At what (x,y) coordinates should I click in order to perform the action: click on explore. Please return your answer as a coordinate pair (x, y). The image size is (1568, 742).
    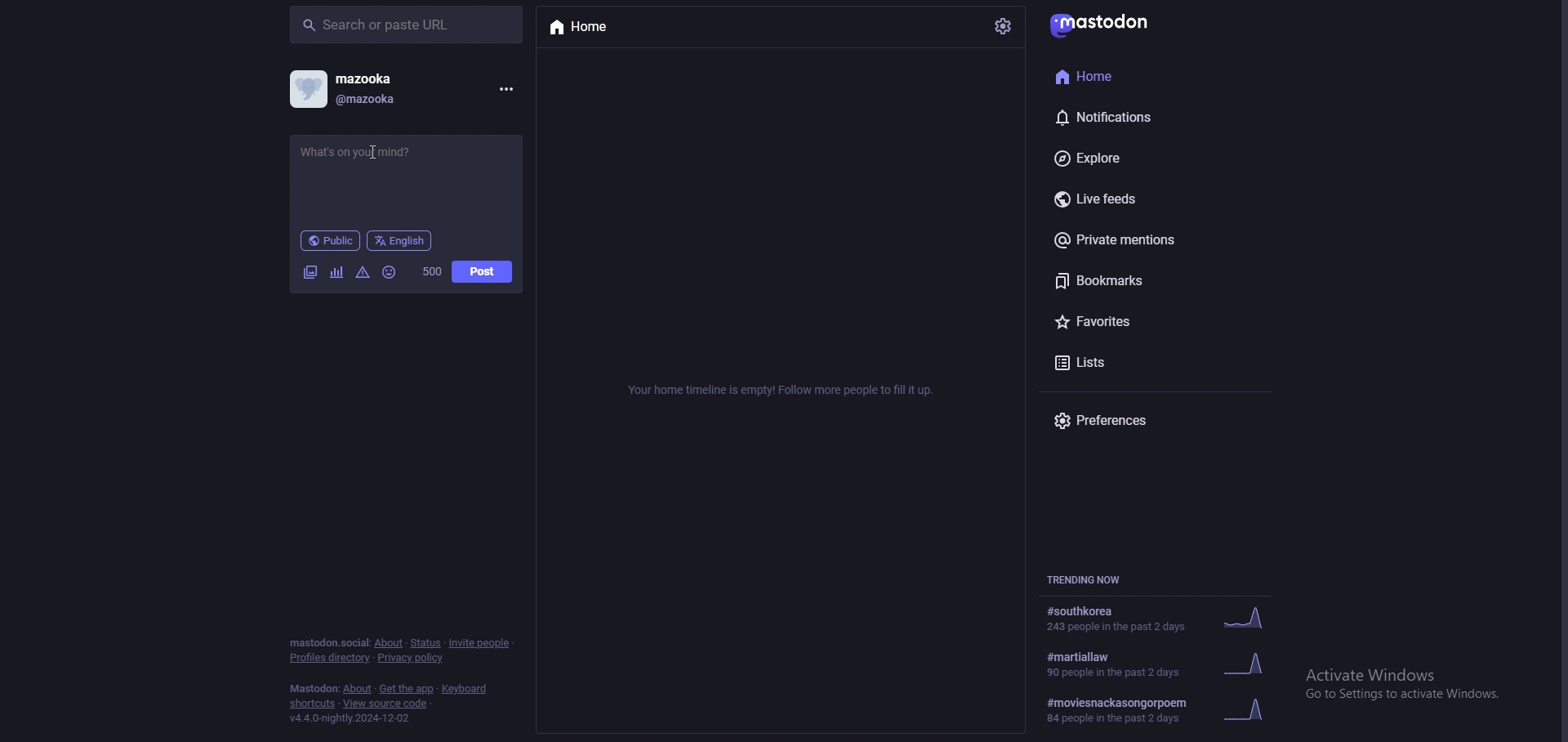
    Looking at the image, I should click on (1134, 157).